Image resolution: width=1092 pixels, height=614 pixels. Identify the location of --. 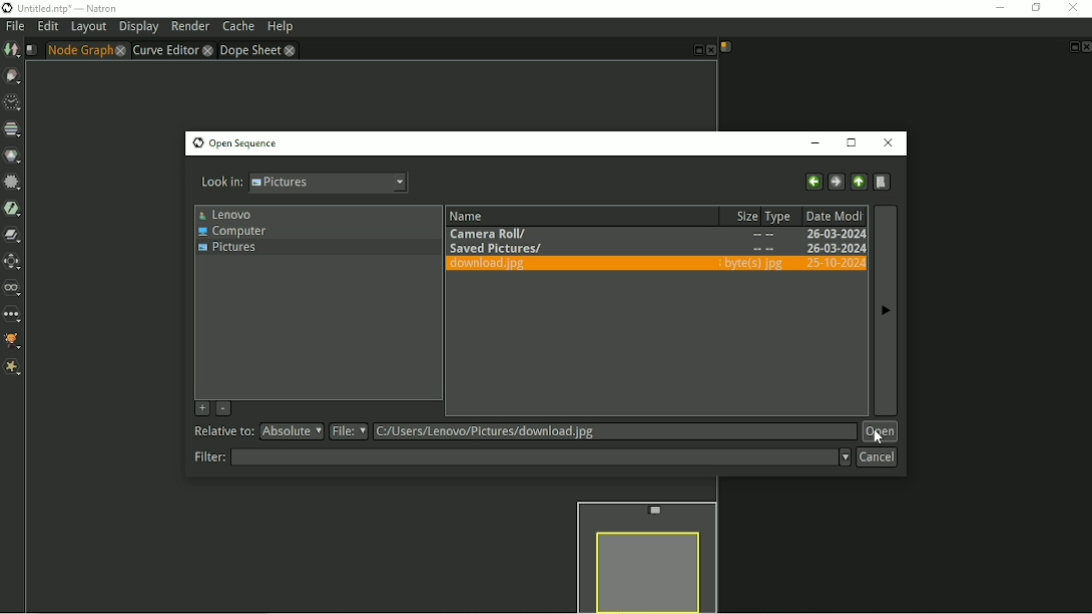
(762, 248).